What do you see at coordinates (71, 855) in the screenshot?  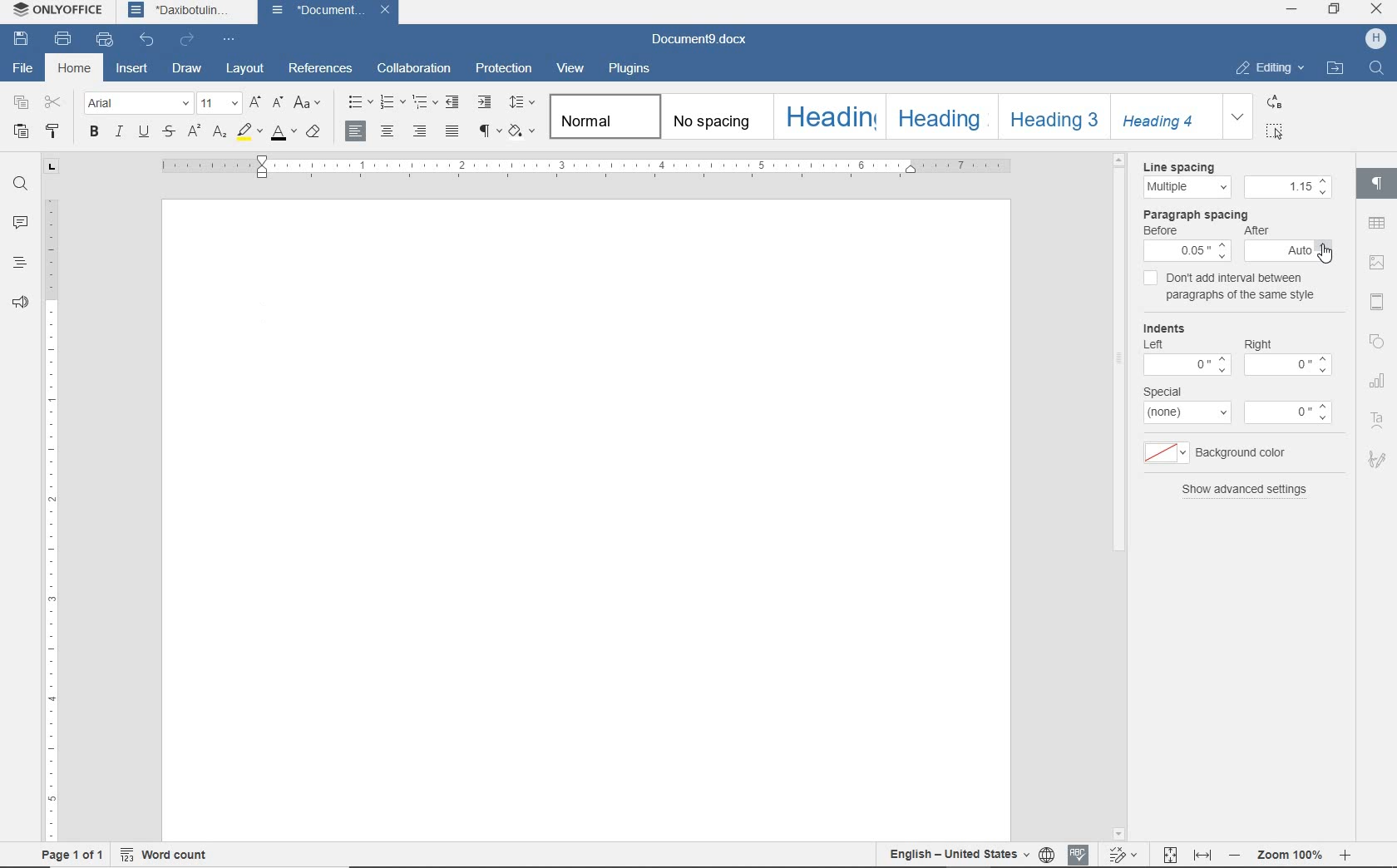 I see `page 1 of 1` at bounding box center [71, 855].